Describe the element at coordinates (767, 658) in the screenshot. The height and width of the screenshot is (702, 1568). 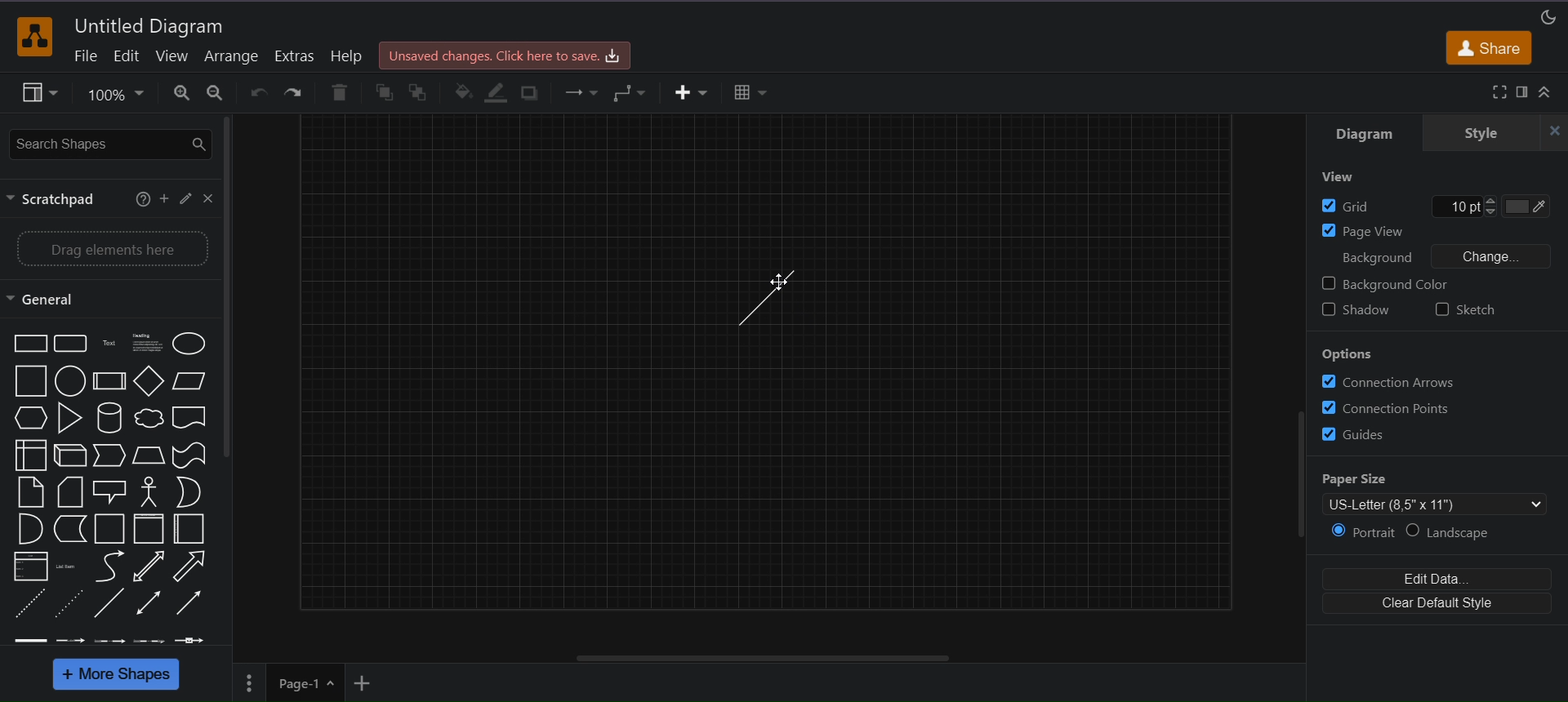
I see `horizontal scroll bar` at that location.